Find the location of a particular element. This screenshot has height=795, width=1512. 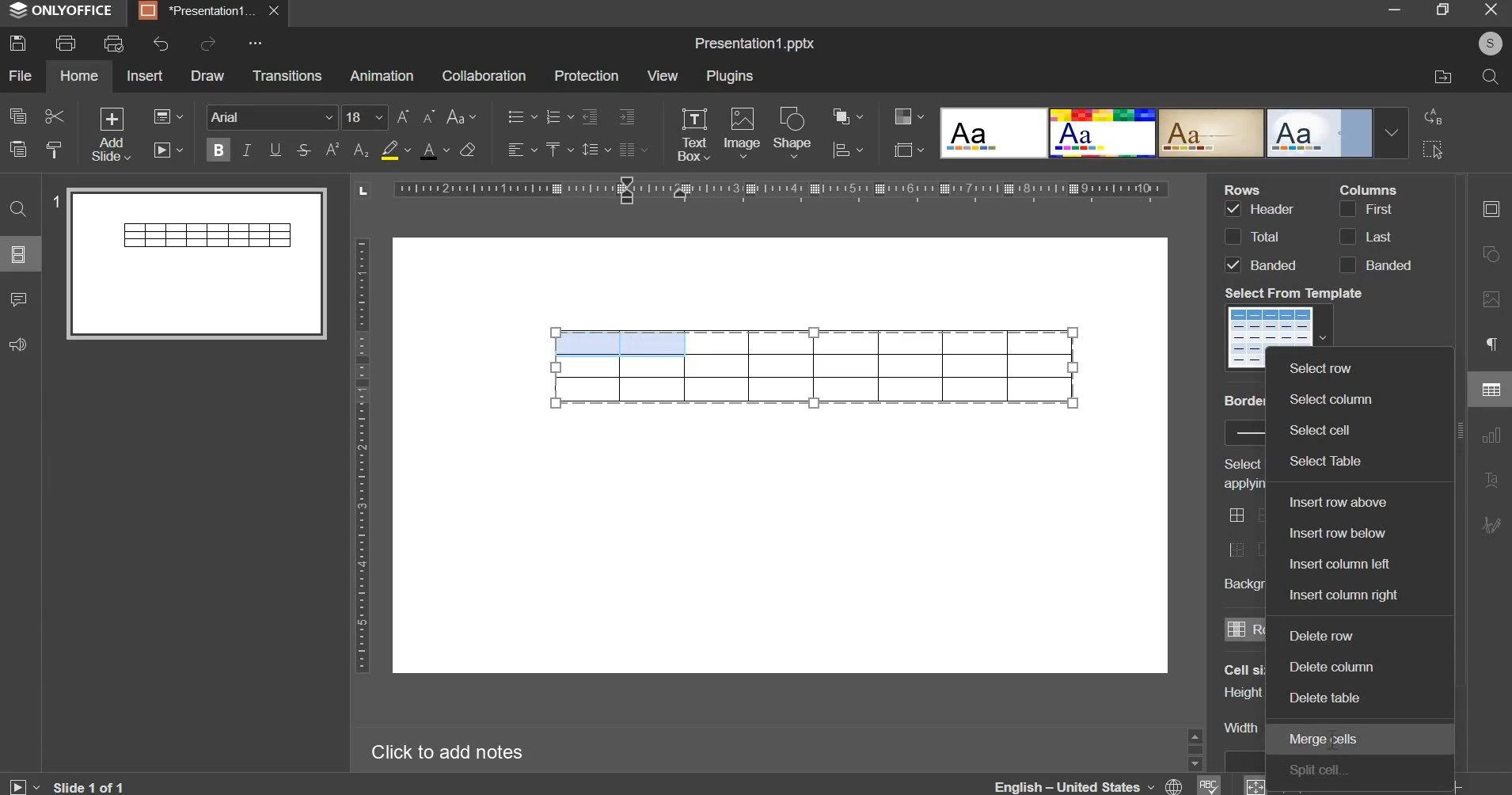

transitions is located at coordinates (287, 74).